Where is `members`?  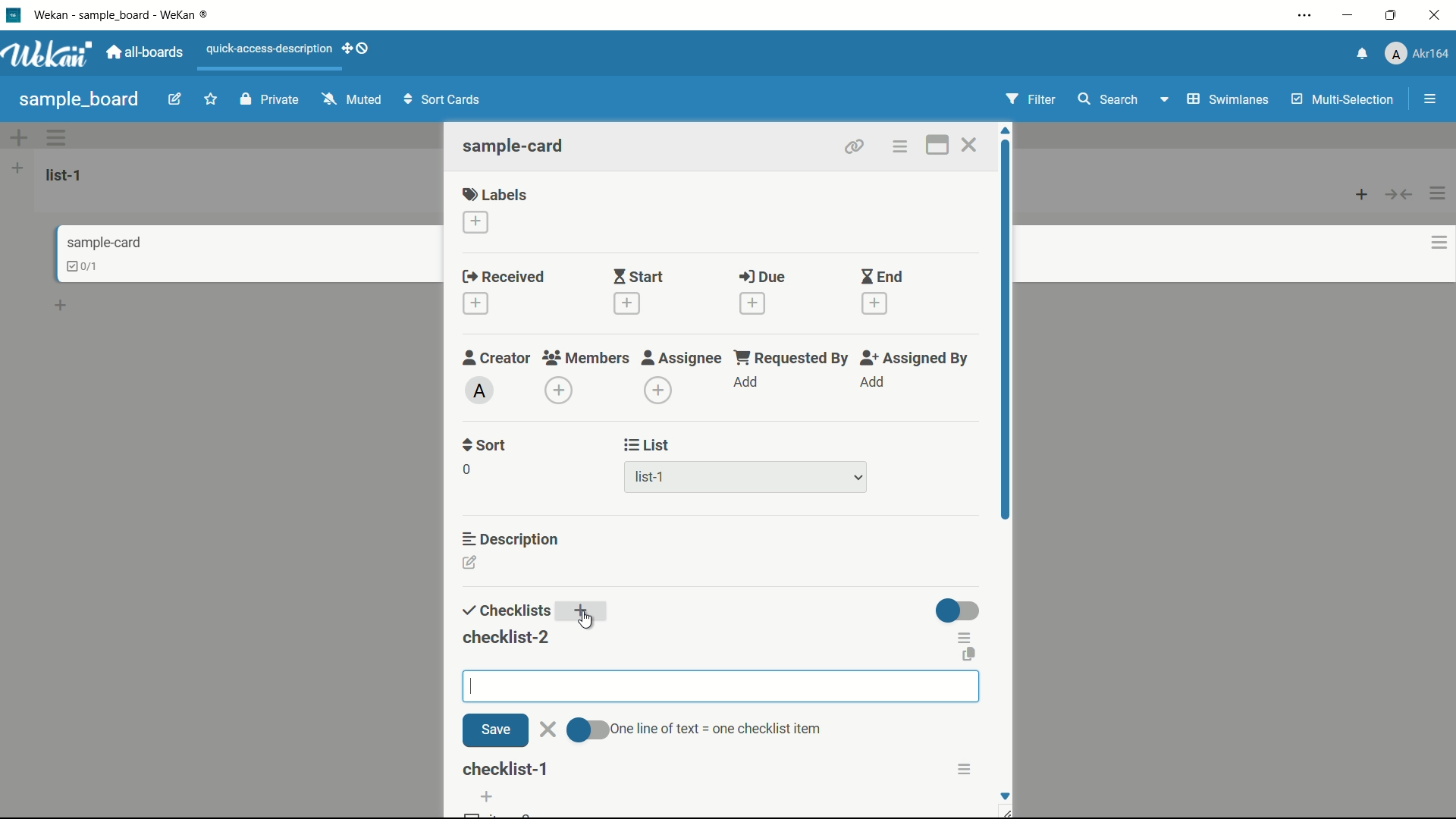
members is located at coordinates (585, 359).